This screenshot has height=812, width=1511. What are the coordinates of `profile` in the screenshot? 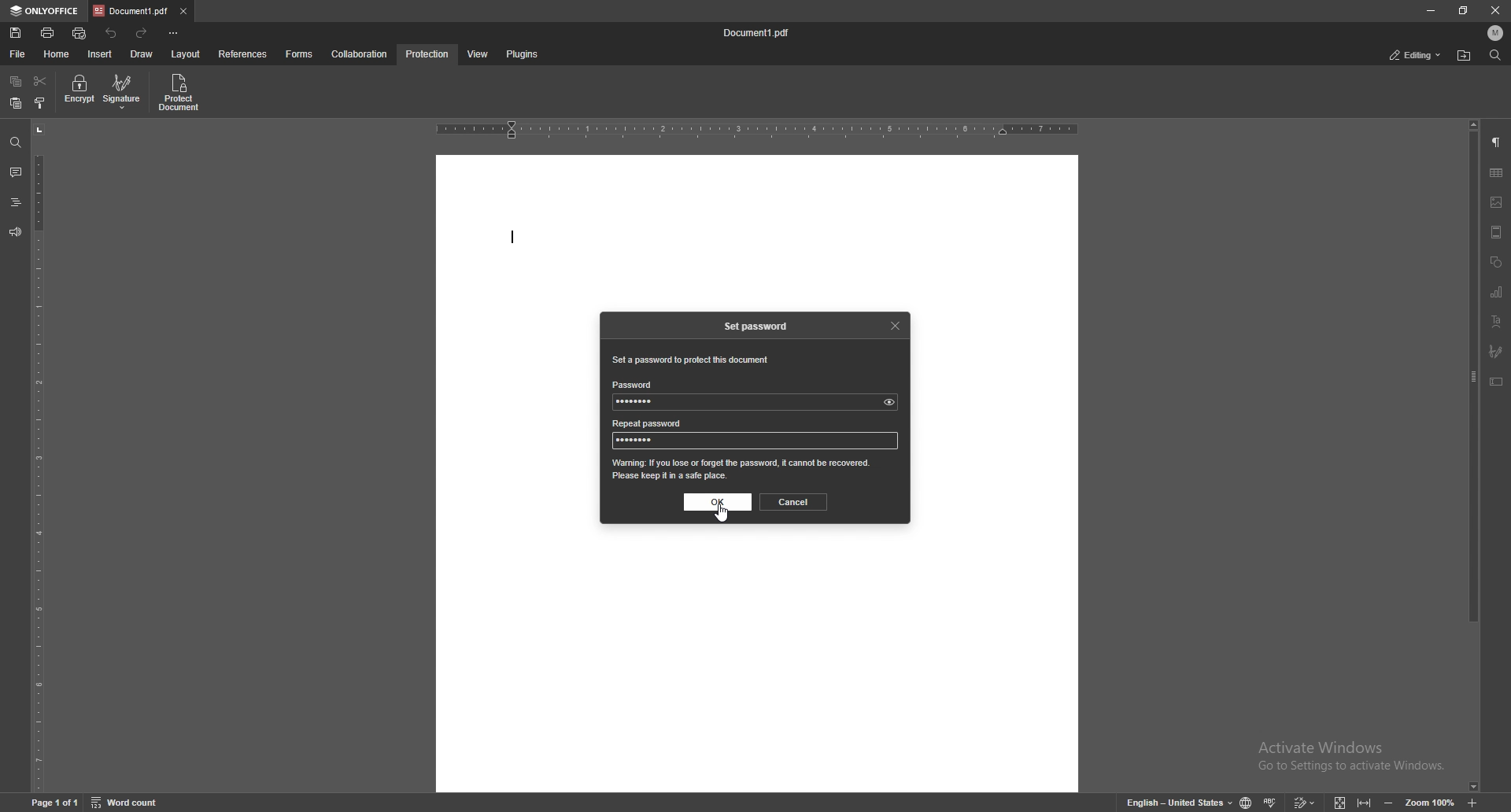 It's located at (1493, 33).